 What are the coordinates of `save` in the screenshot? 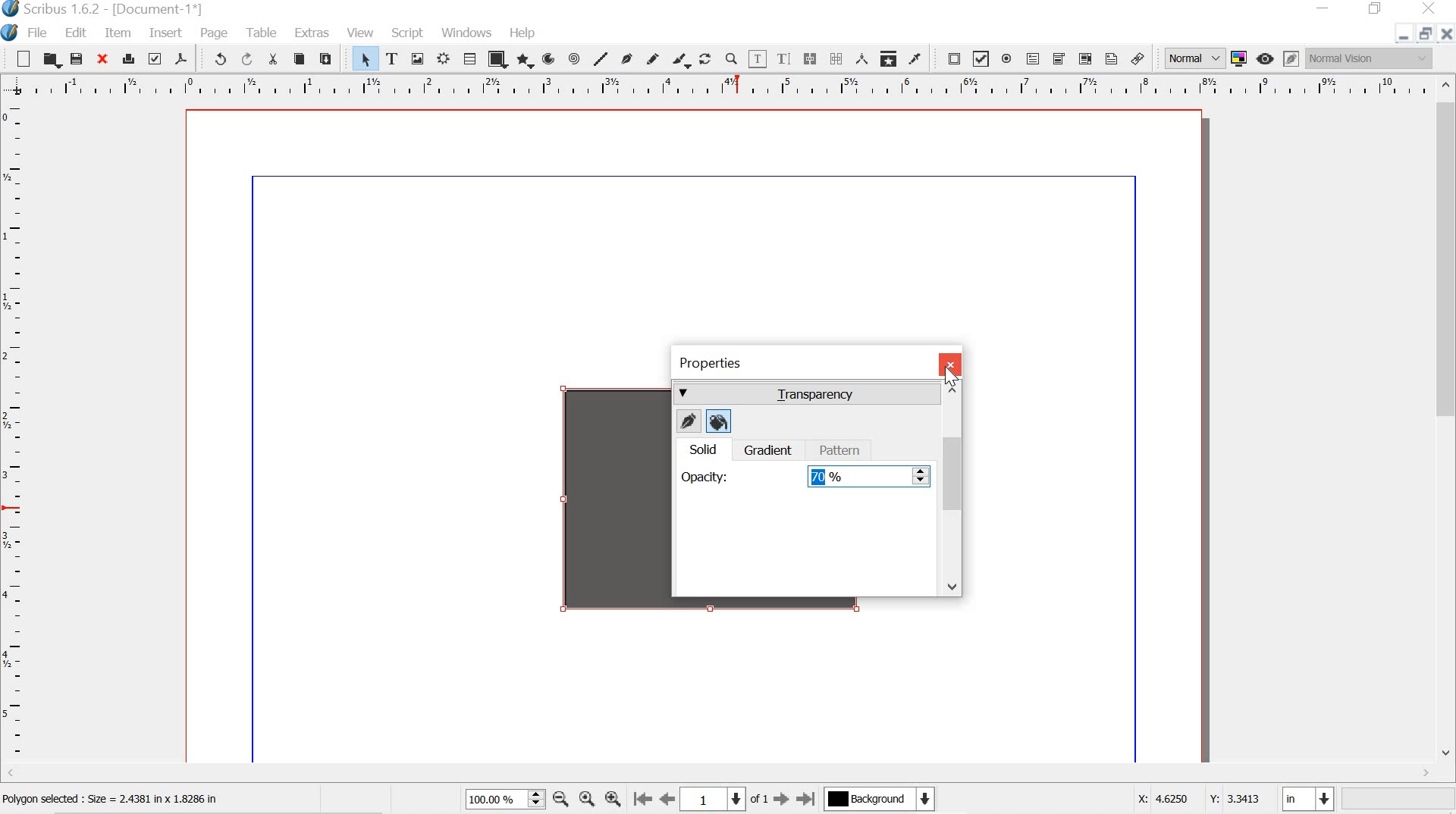 It's located at (77, 60).